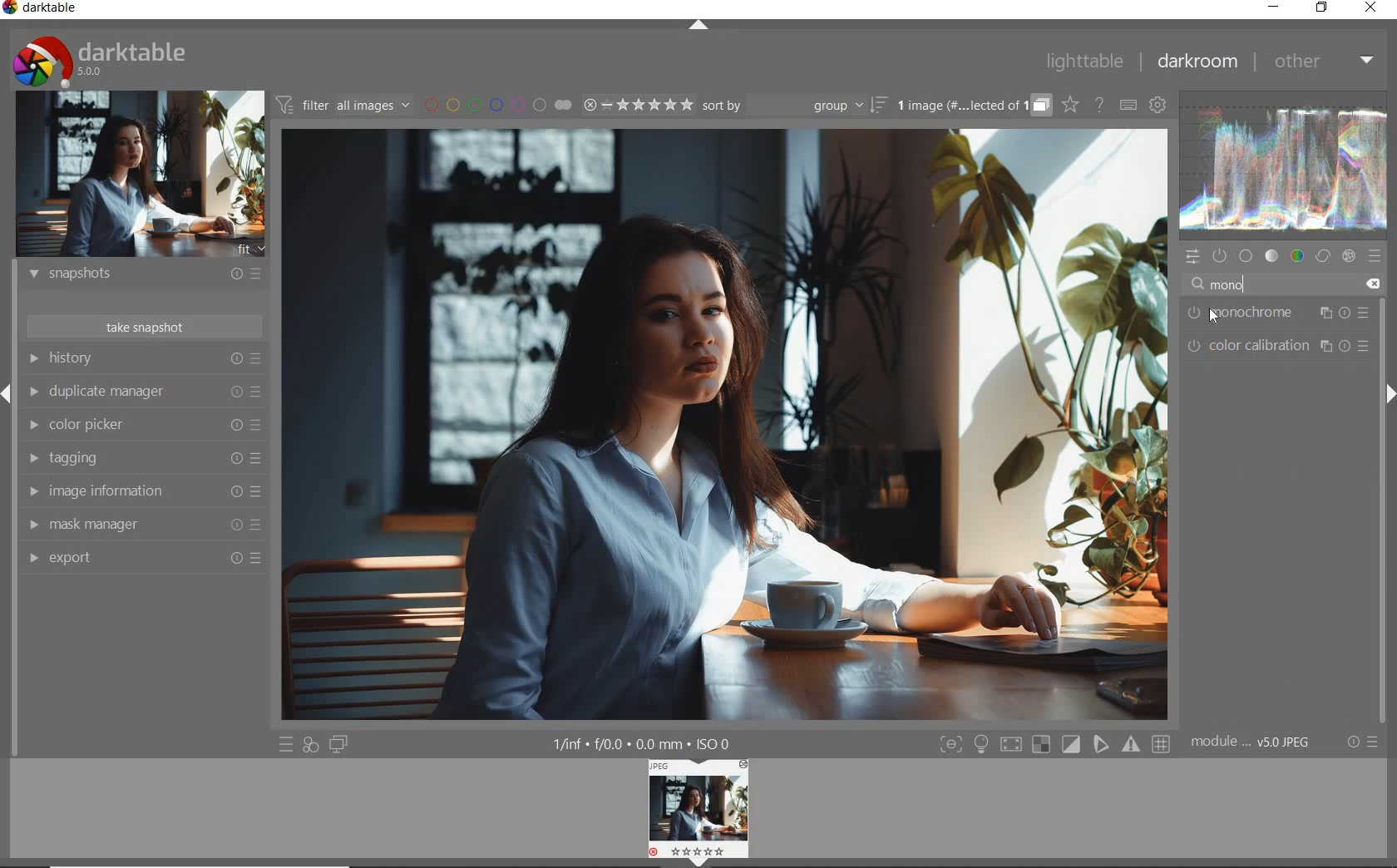  I want to click on snapshots, so click(144, 277).